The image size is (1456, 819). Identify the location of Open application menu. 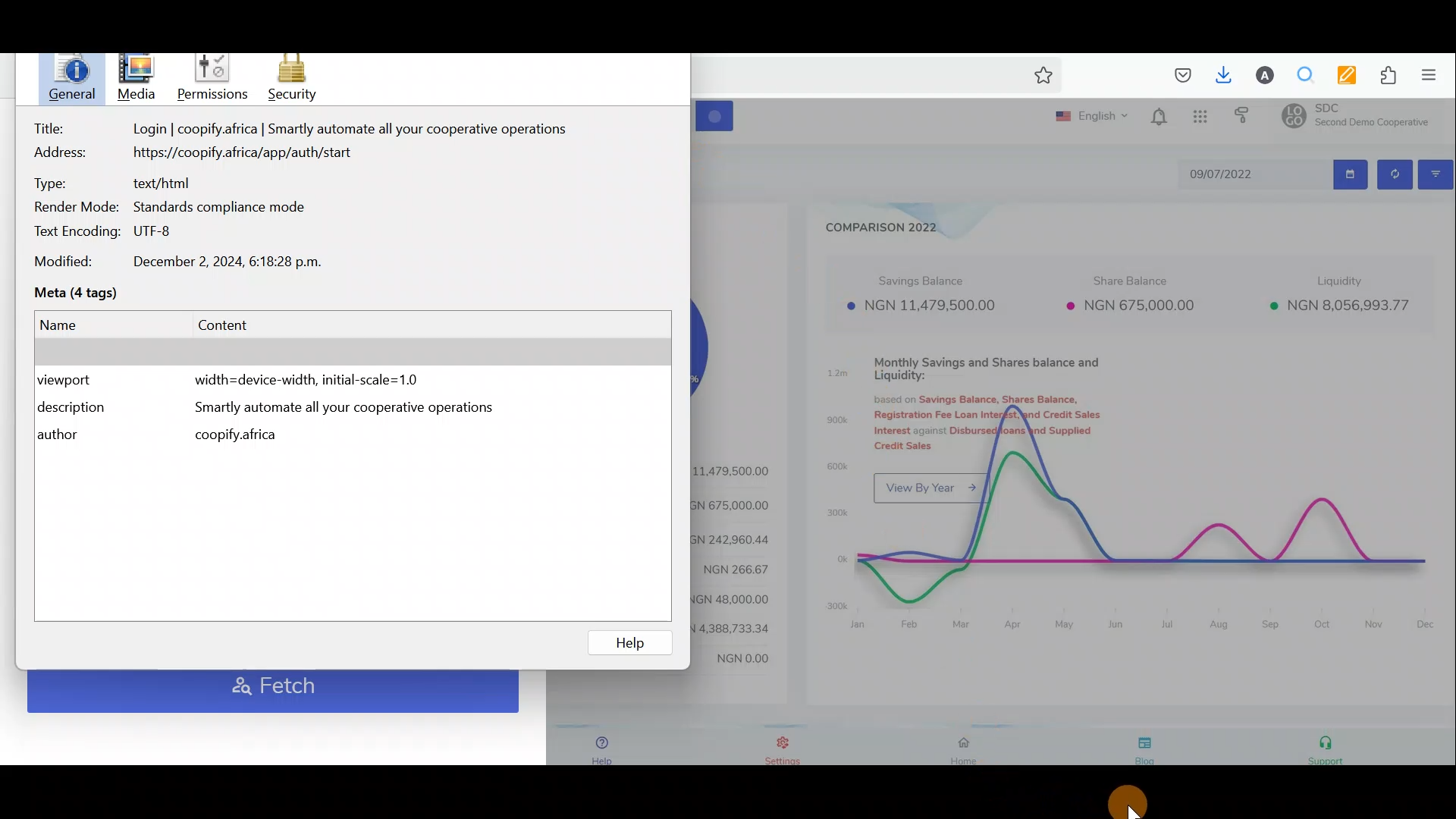
(1433, 76).